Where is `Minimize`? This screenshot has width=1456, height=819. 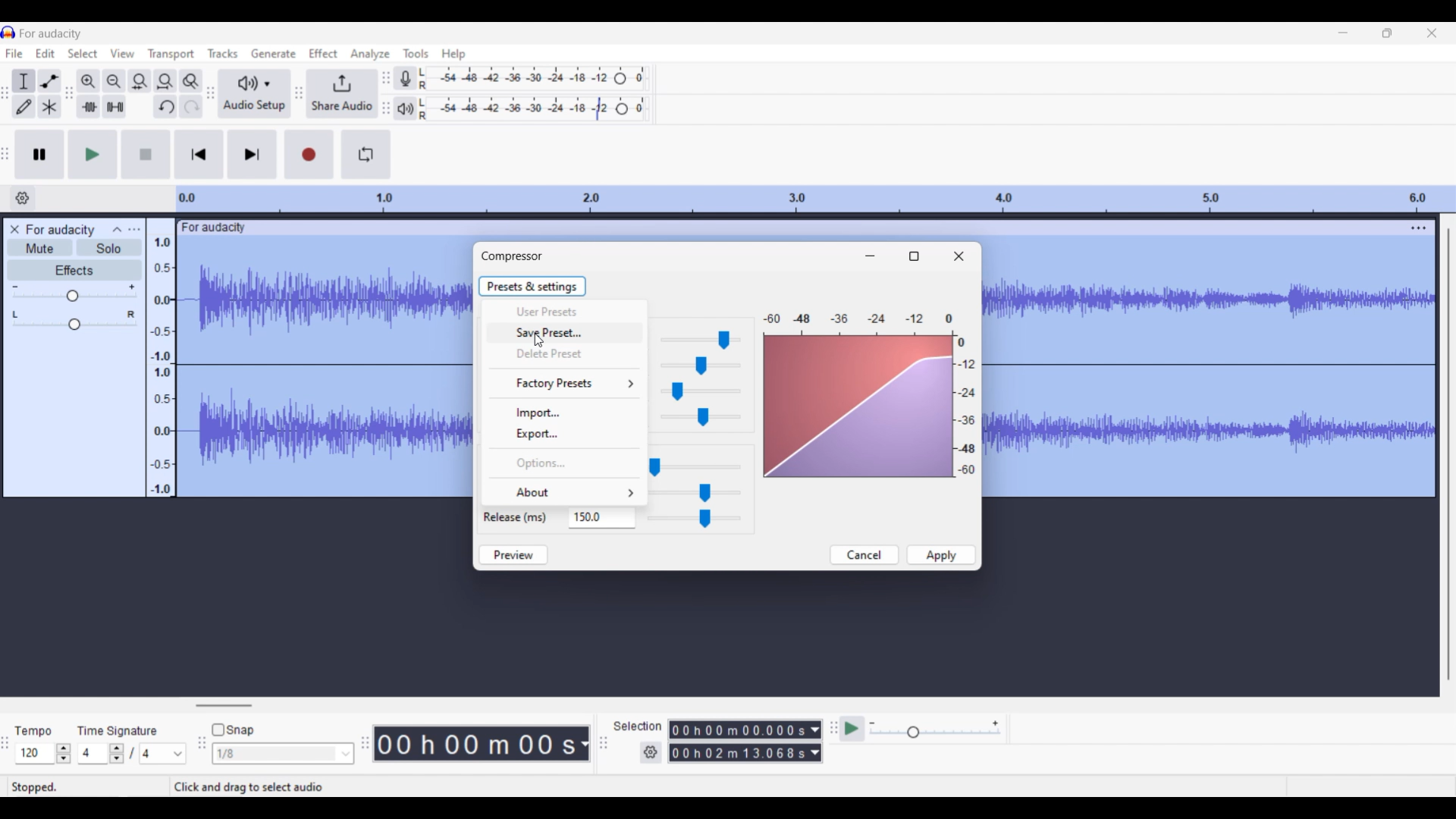 Minimize is located at coordinates (870, 256).